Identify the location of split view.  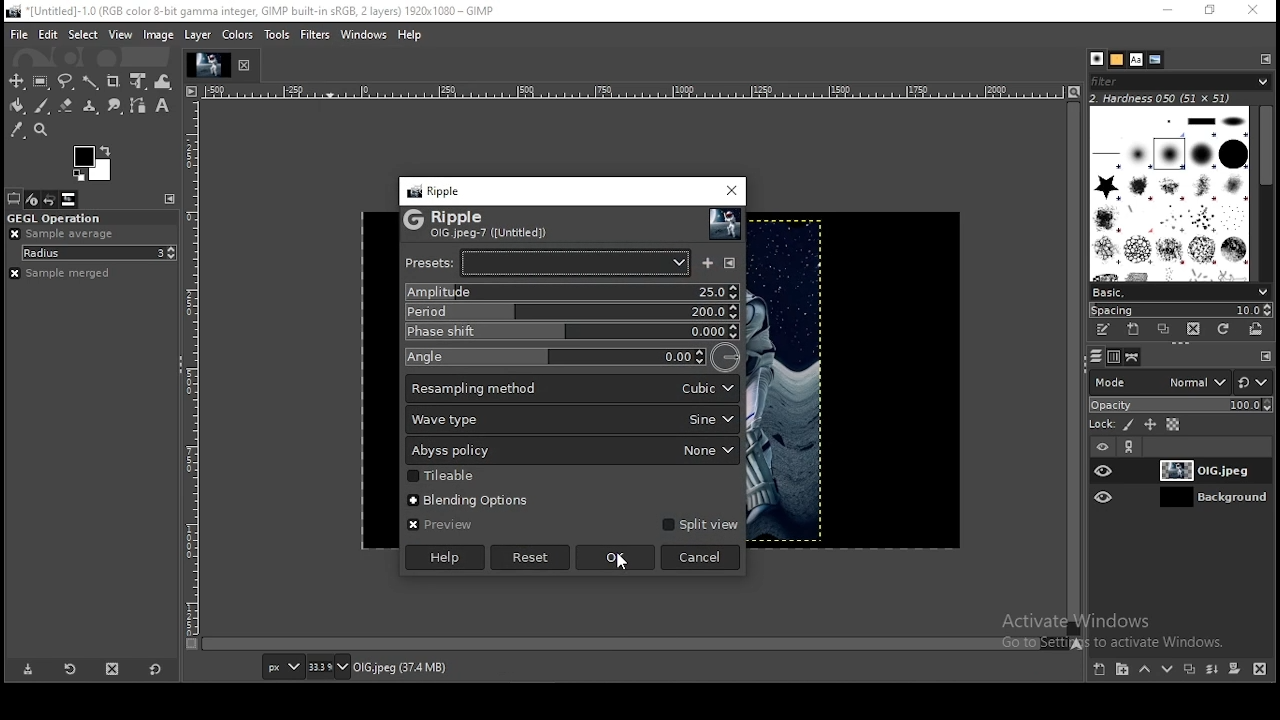
(700, 523).